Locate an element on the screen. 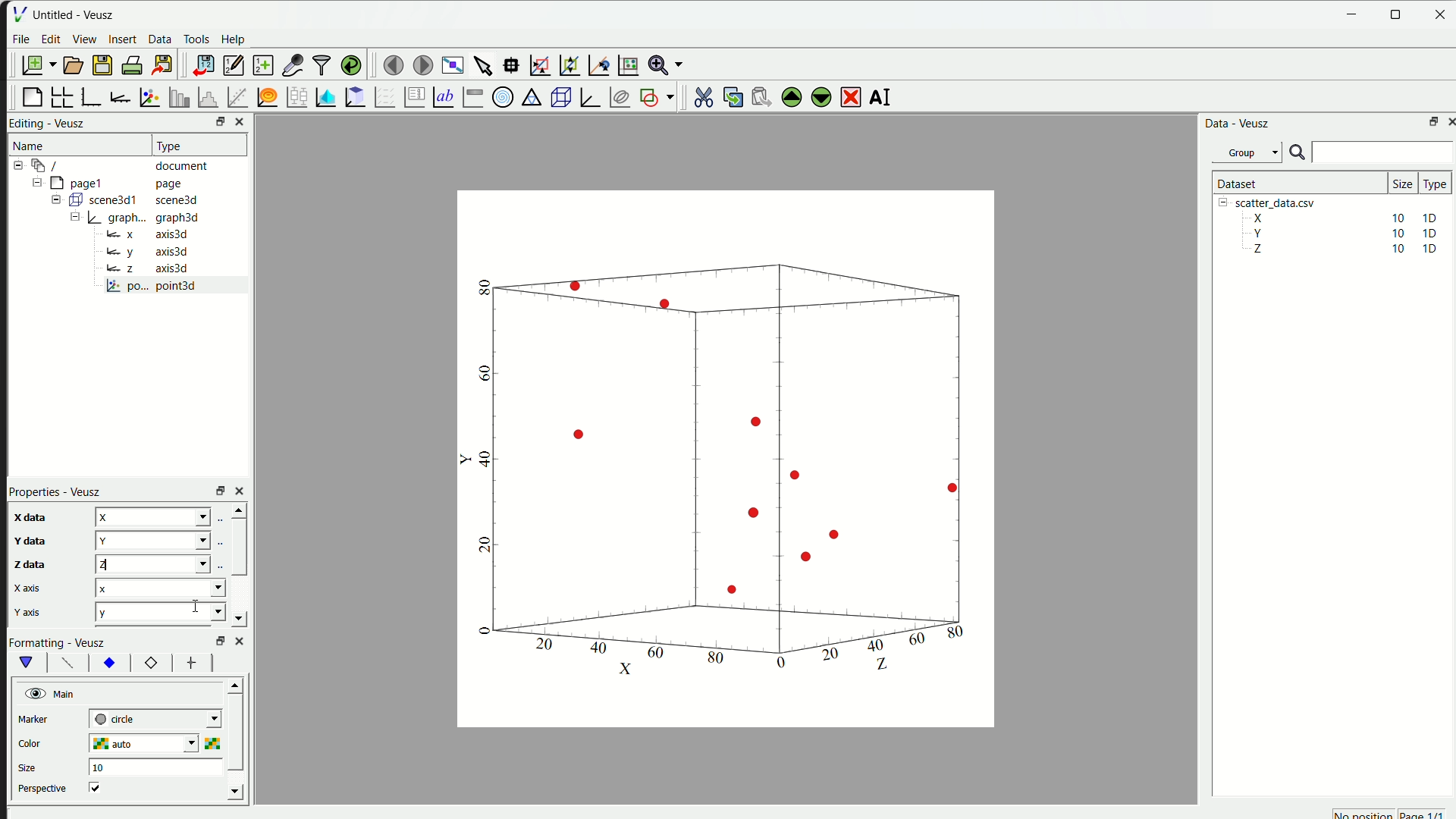 The image size is (1456, 819). Editing is located at coordinates (27, 122).